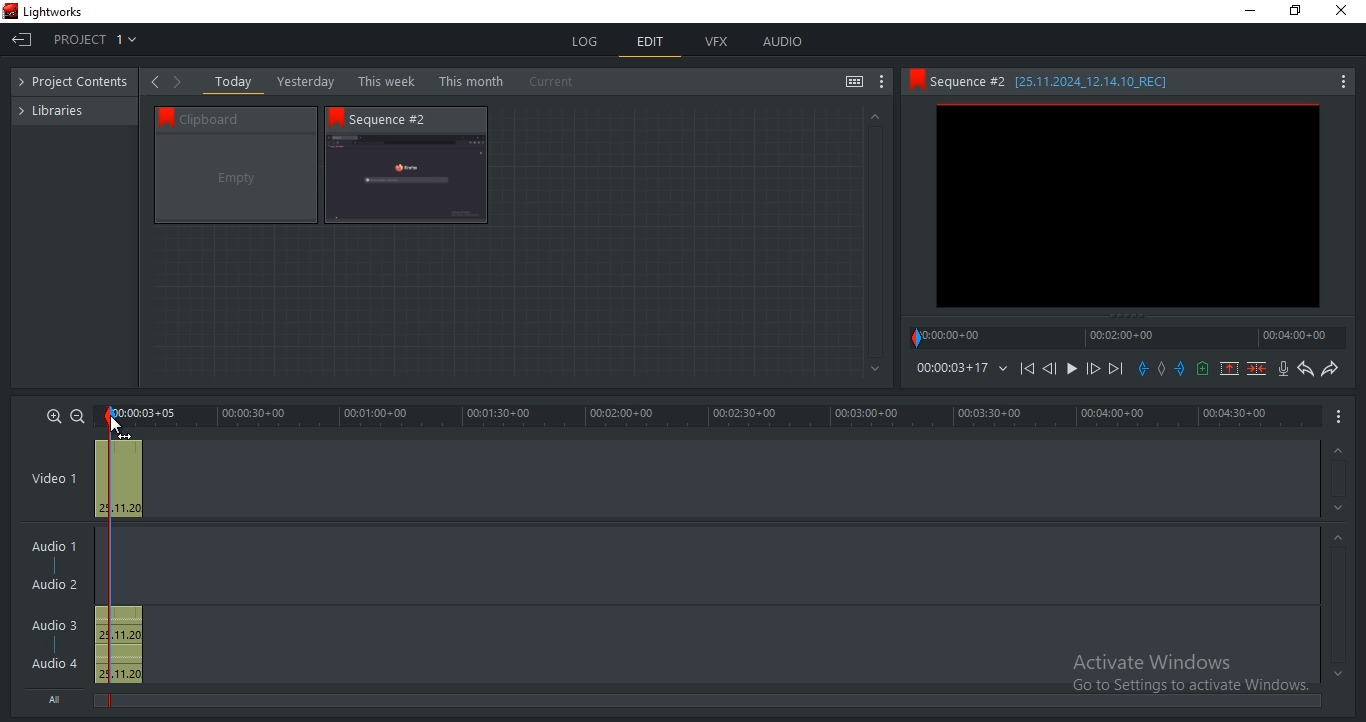 The height and width of the screenshot is (722, 1366). I want to click on Lightworks, so click(54, 12).